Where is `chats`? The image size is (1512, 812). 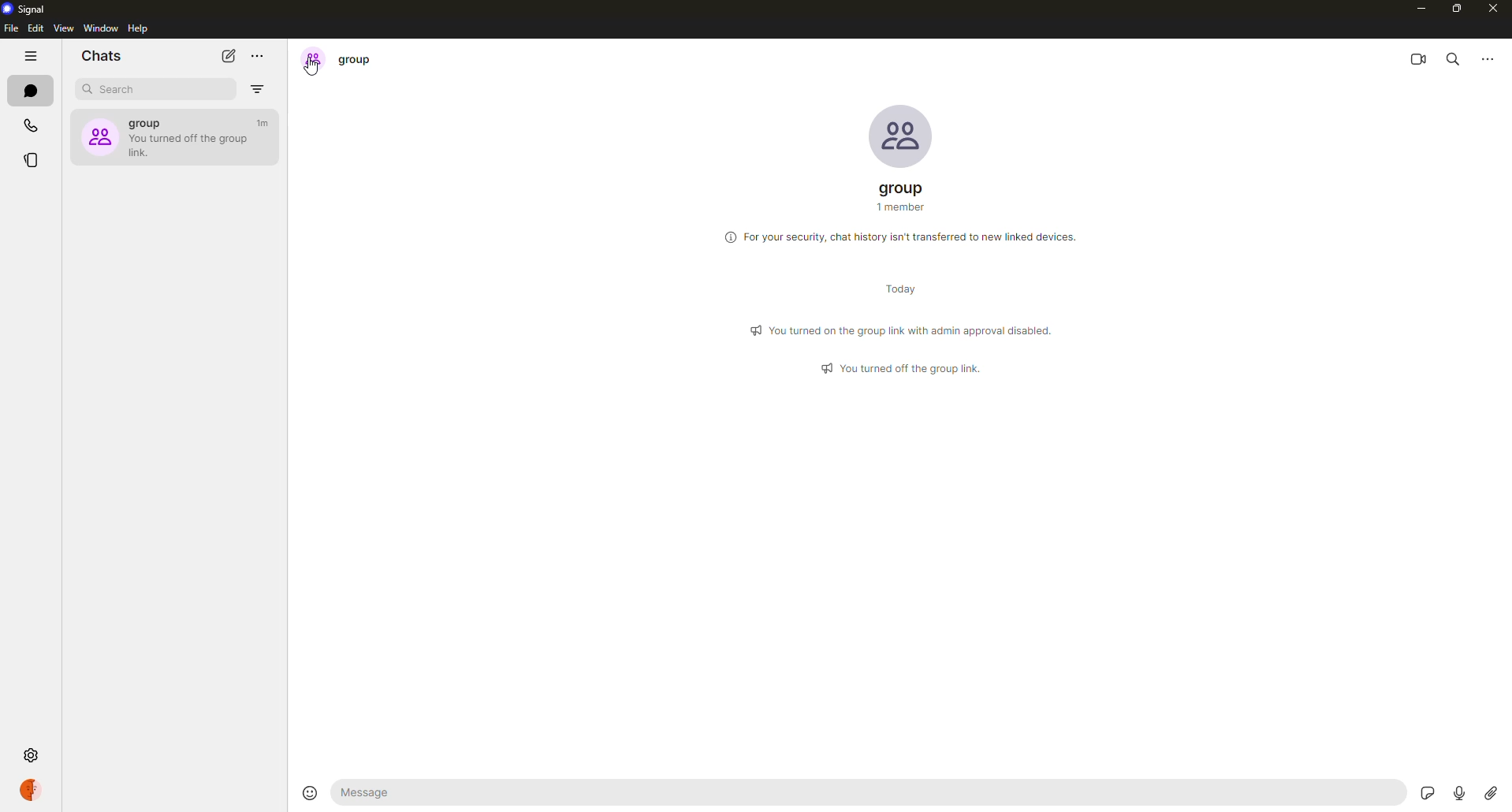 chats is located at coordinates (30, 91).